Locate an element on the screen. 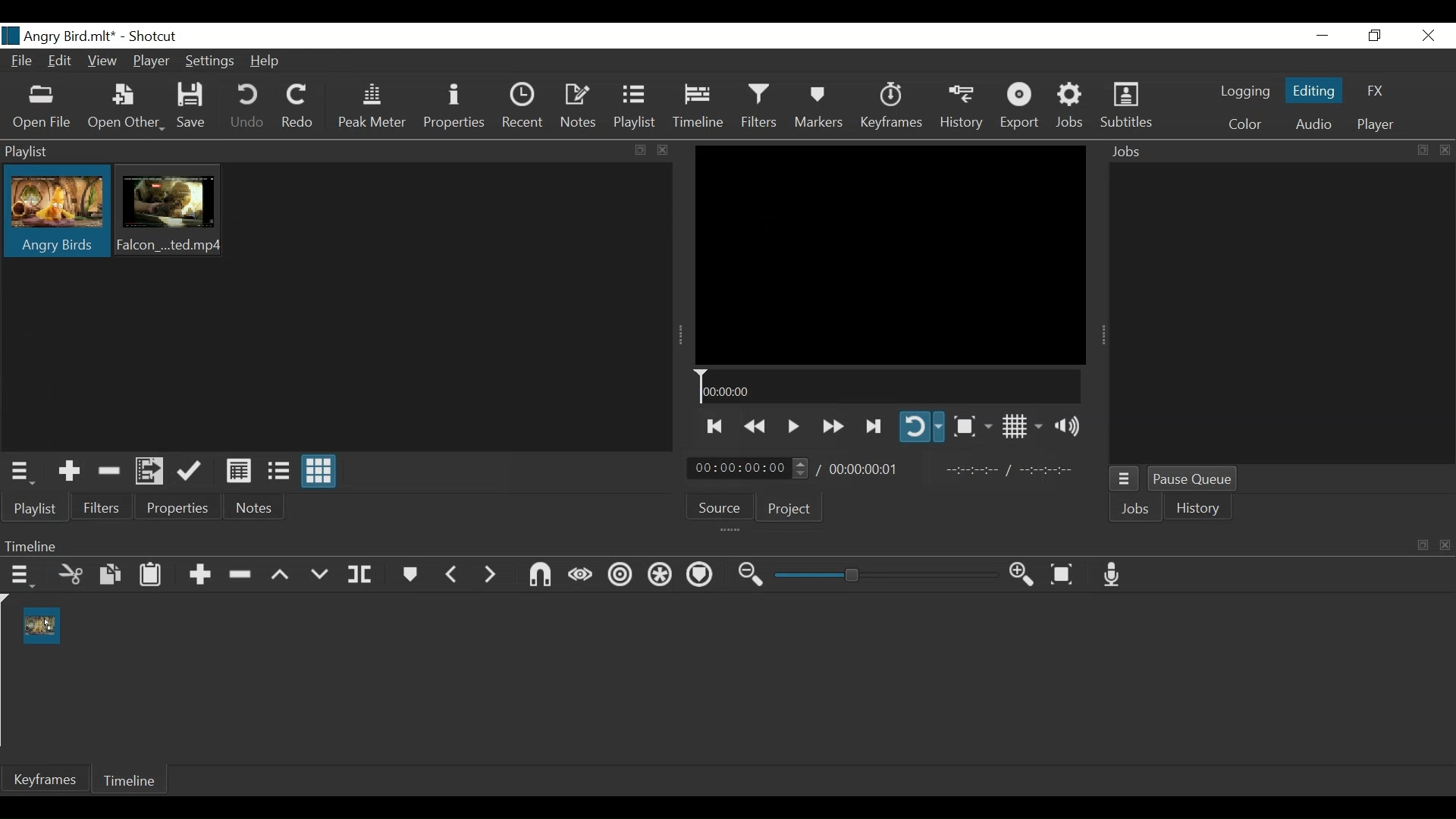 The width and height of the screenshot is (1456, 819). Current position is located at coordinates (750, 469).